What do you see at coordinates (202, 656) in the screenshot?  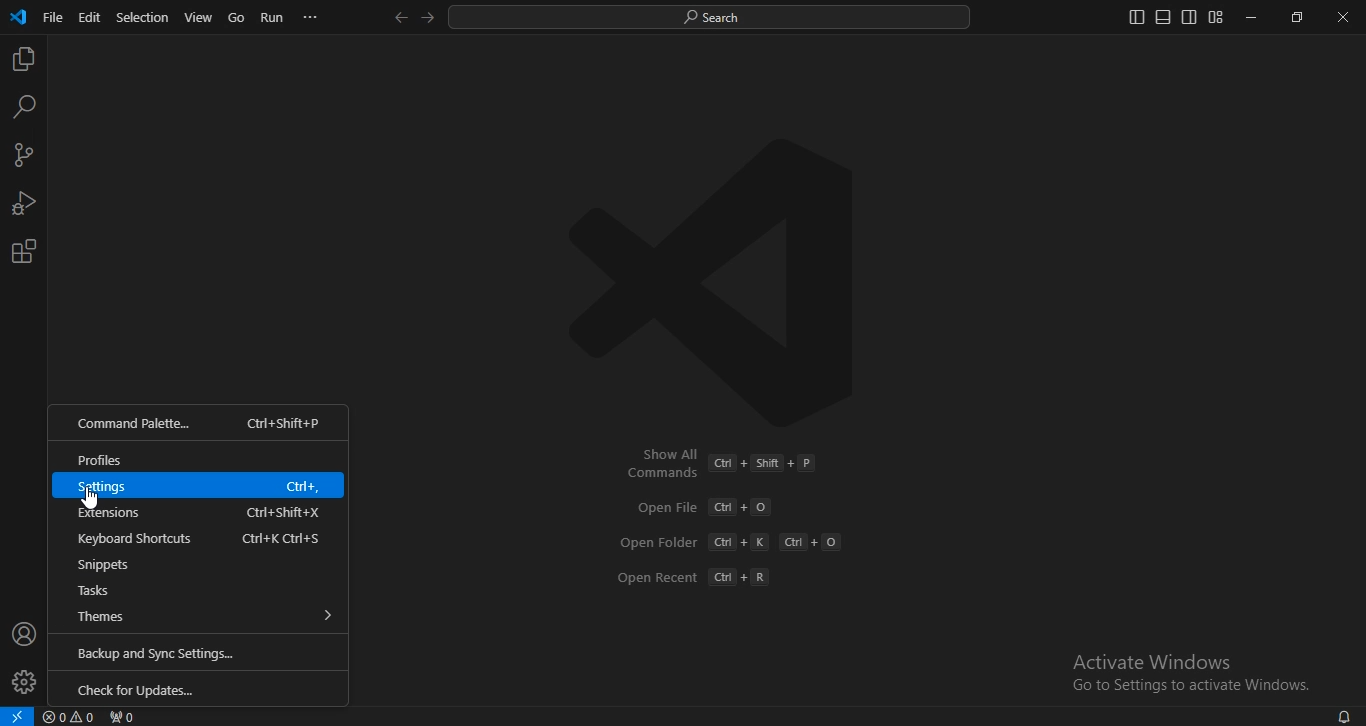 I see `backup and sync settings` at bounding box center [202, 656].